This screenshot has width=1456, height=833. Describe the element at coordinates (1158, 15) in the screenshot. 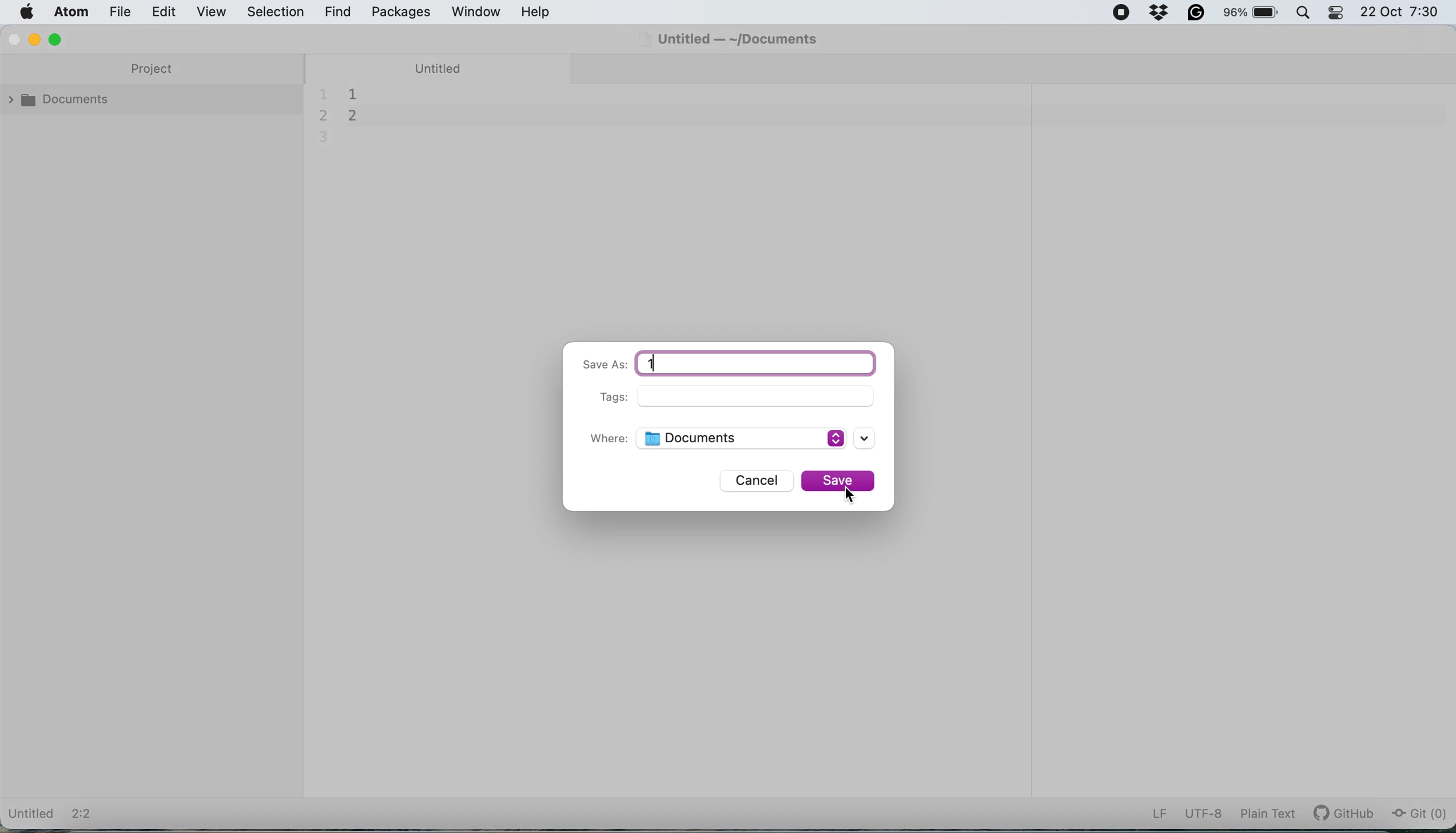

I see `dropbox` at that location.